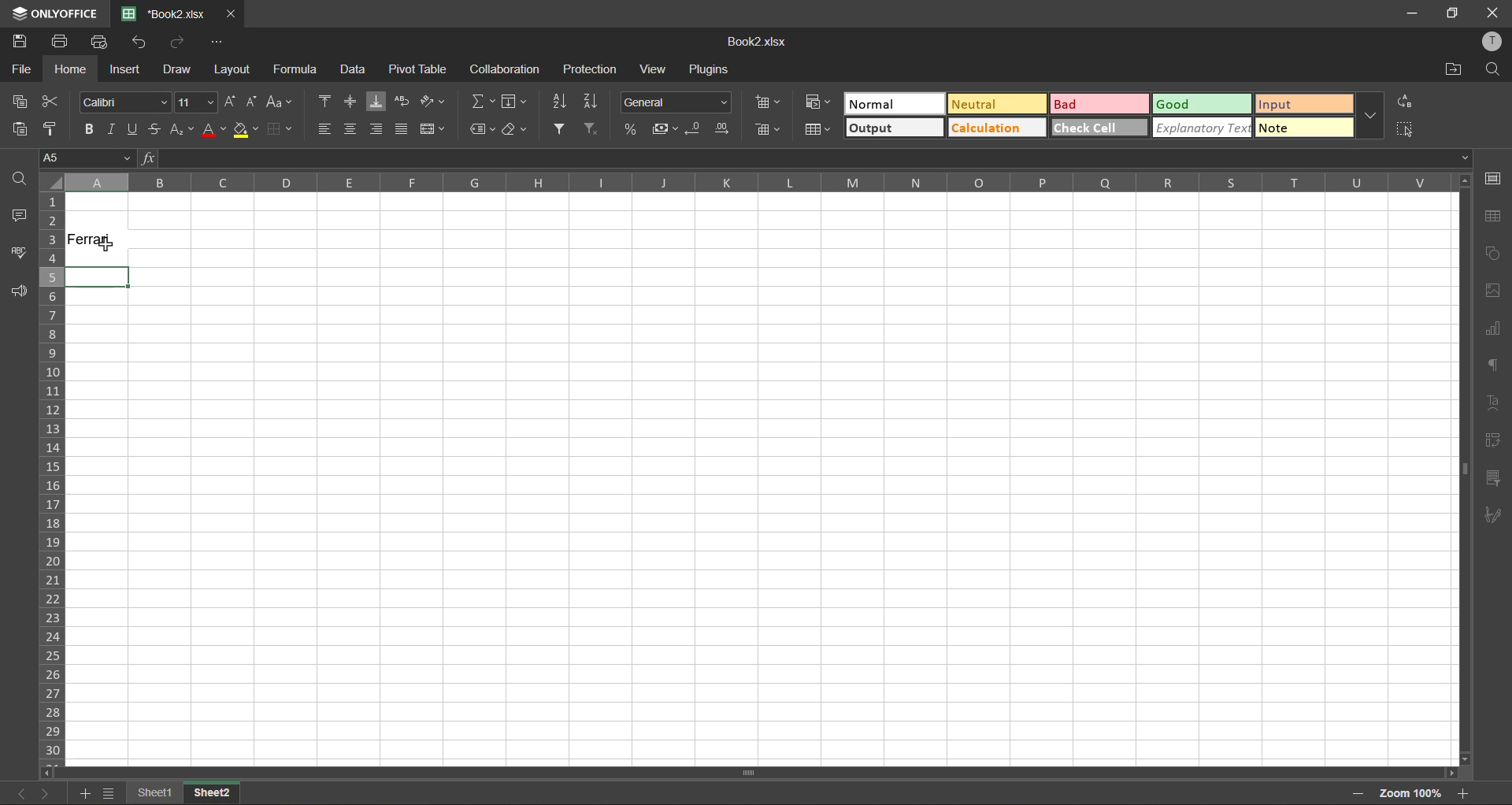 Image resolution: width=1512 pixels, height=805 pixels. Describe the element at coordinates (767, 131) in the screenshot. I see `delete cells` at that location.